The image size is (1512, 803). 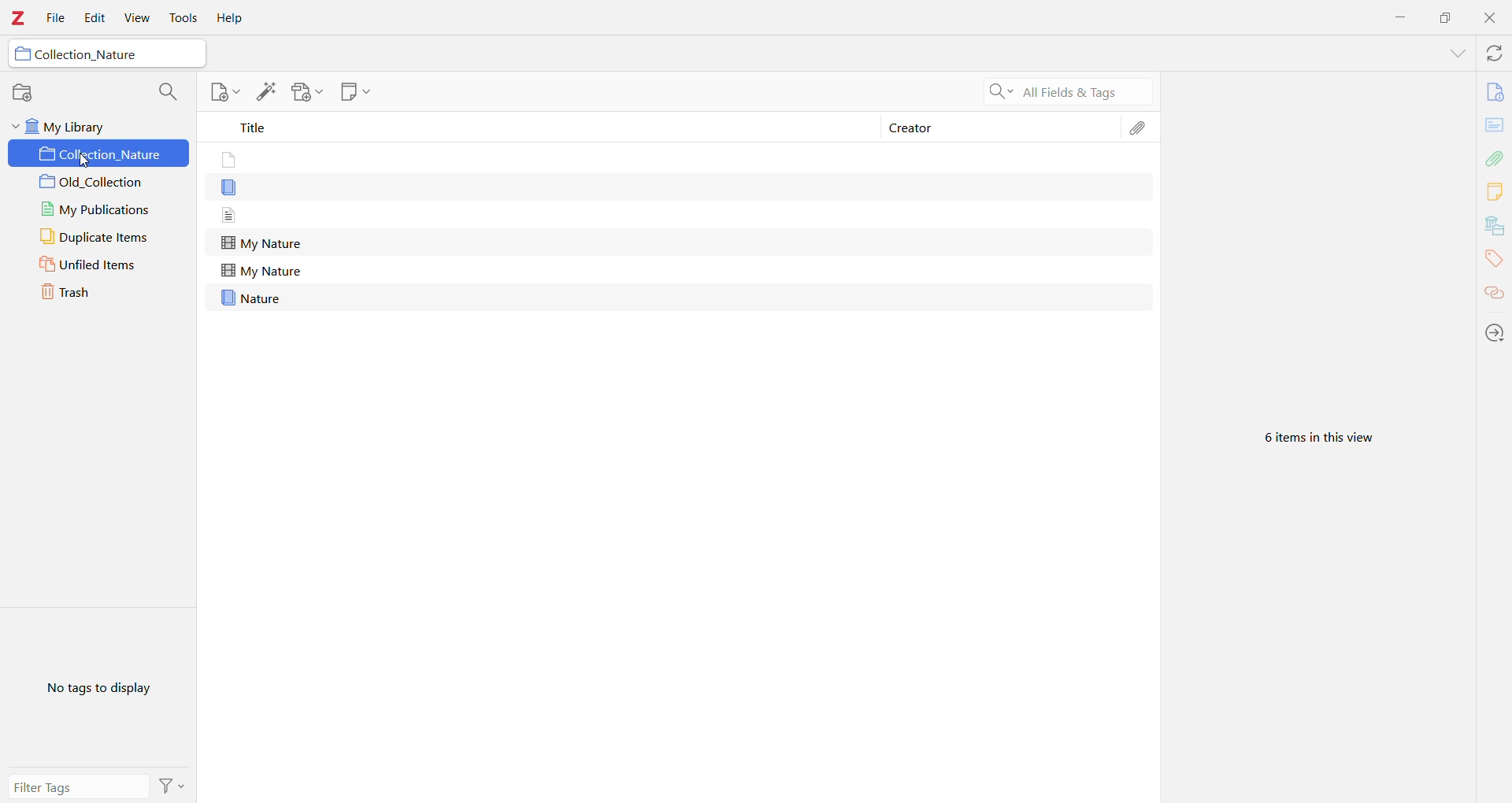 I want to click on Without title file, so click(x=235, y=160).